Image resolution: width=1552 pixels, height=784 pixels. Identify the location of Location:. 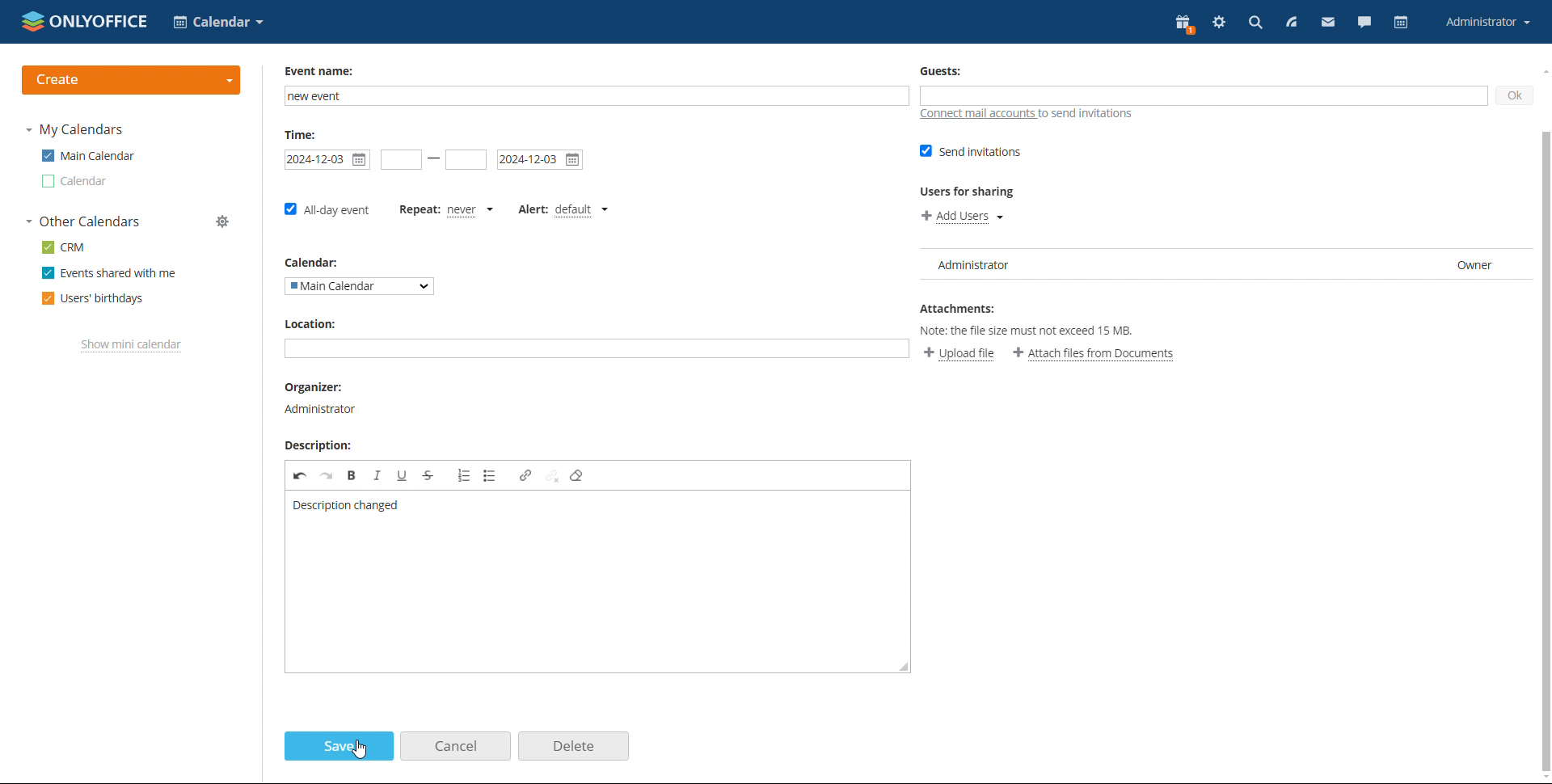
(312, 324).